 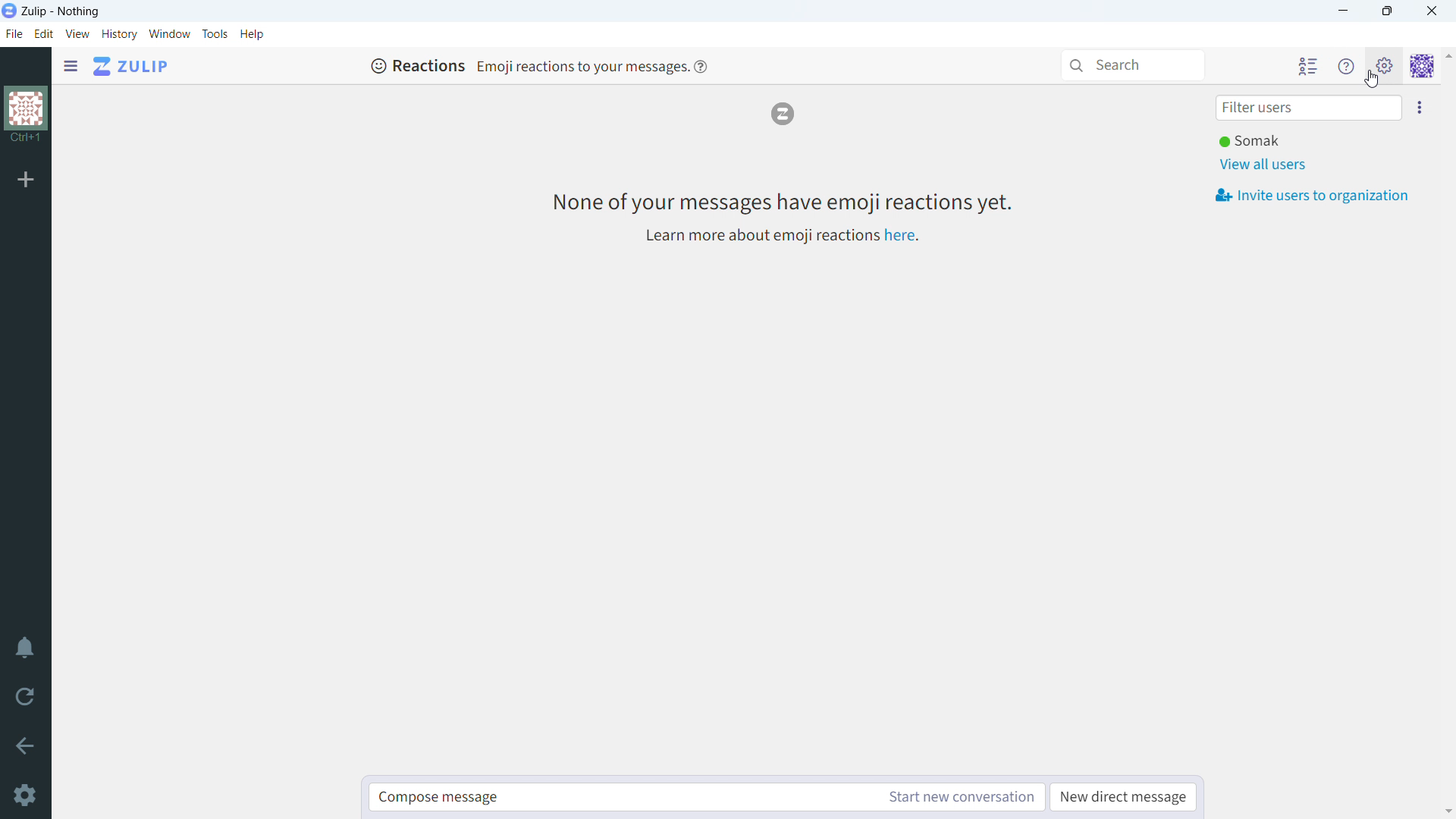 What do you see at coordinates (24, 649) in the screenshot?
I see `enable do not disturb` at bounding box center [24, 649].